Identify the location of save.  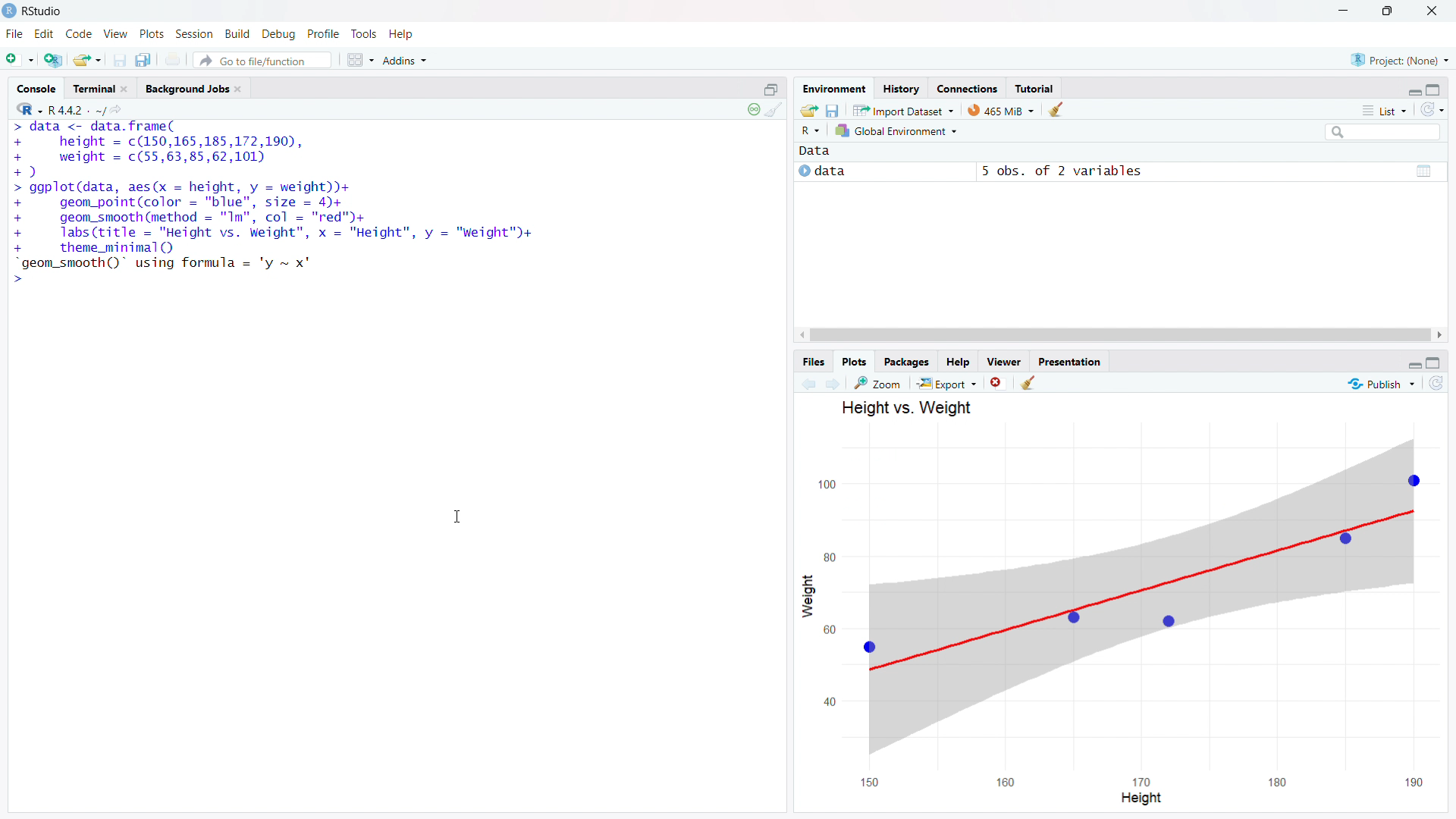
(120, 60).